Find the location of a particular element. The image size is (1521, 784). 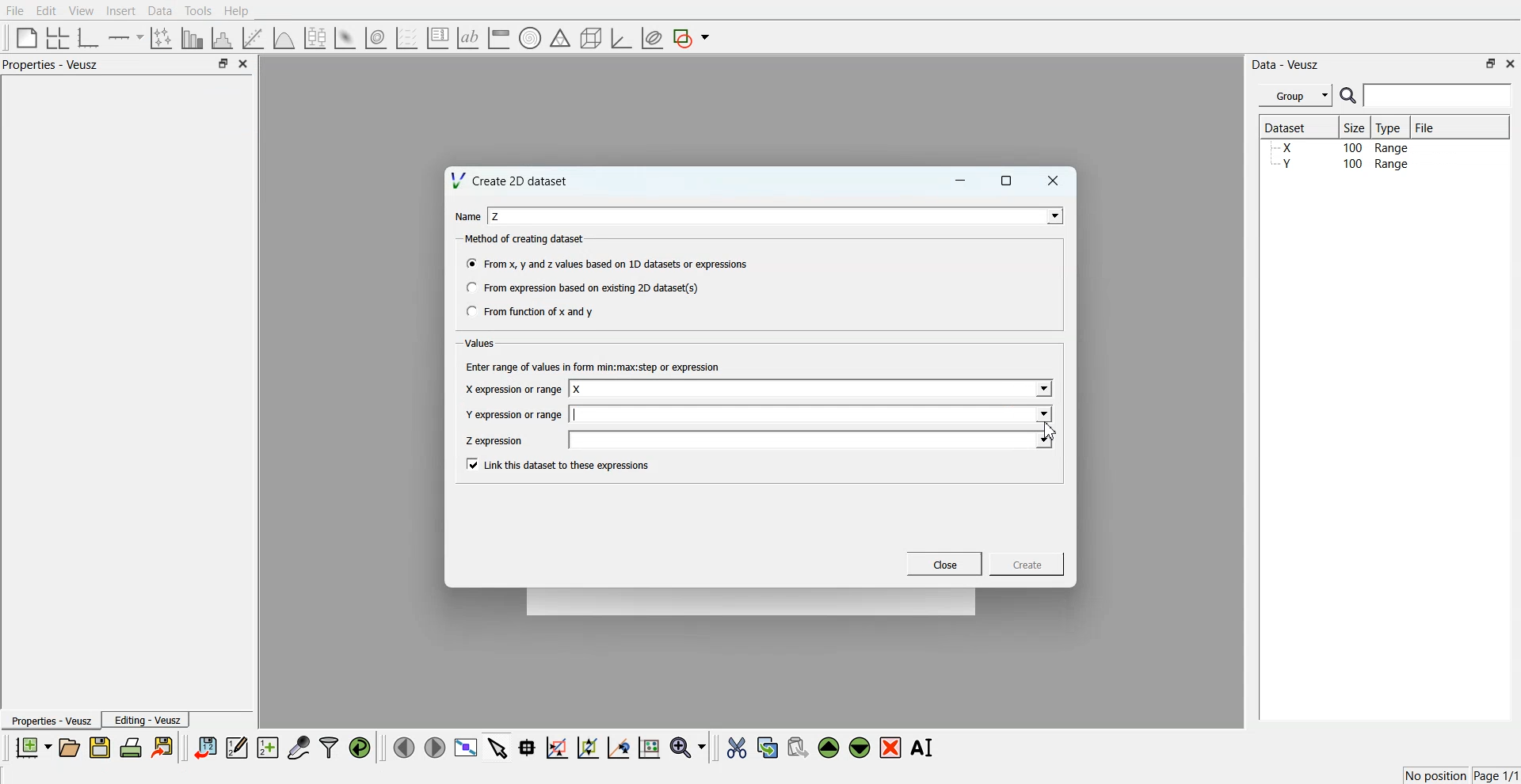

Reload linked dataset is located at coordinates (360, 748).